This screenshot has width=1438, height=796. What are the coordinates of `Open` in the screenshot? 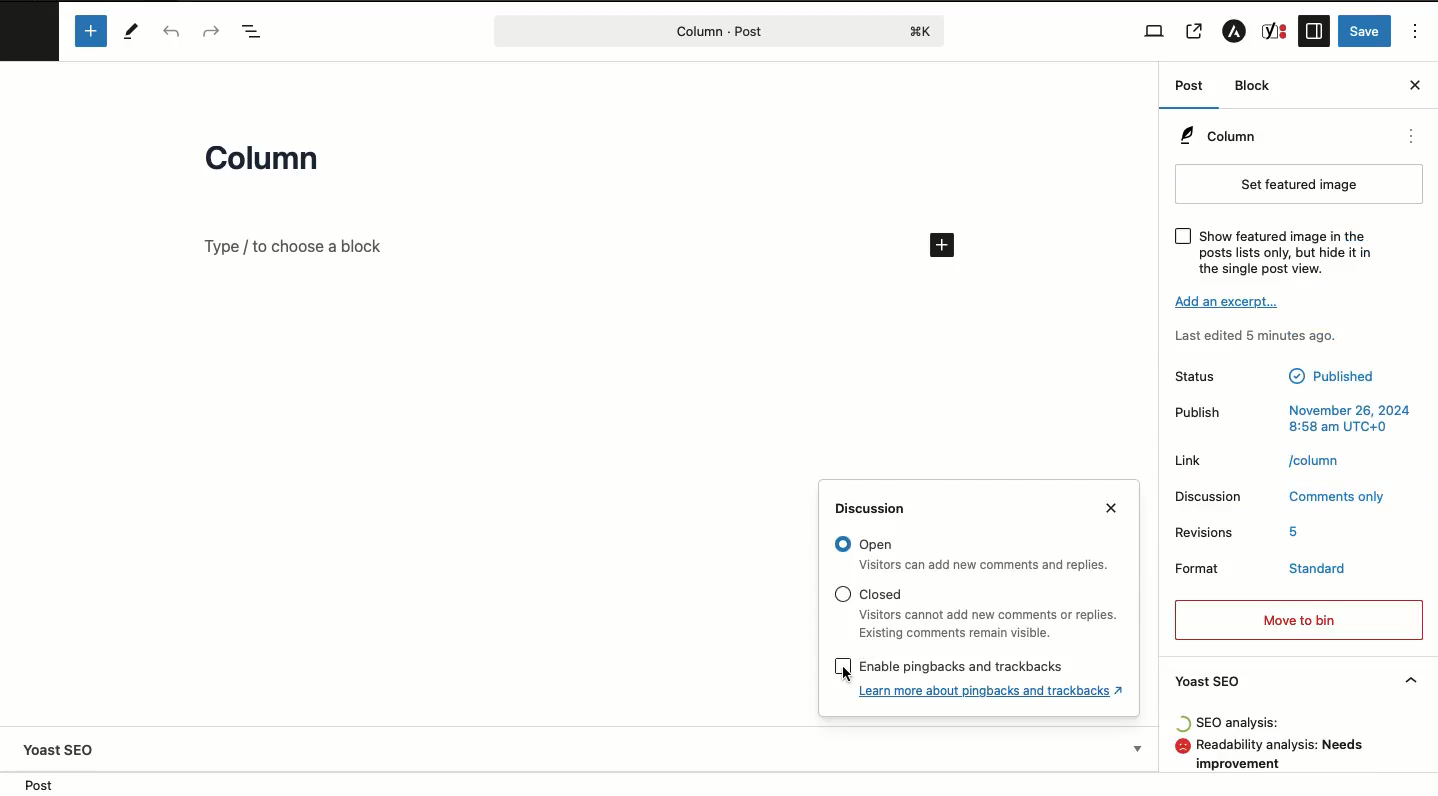 It's located at (987, 565).